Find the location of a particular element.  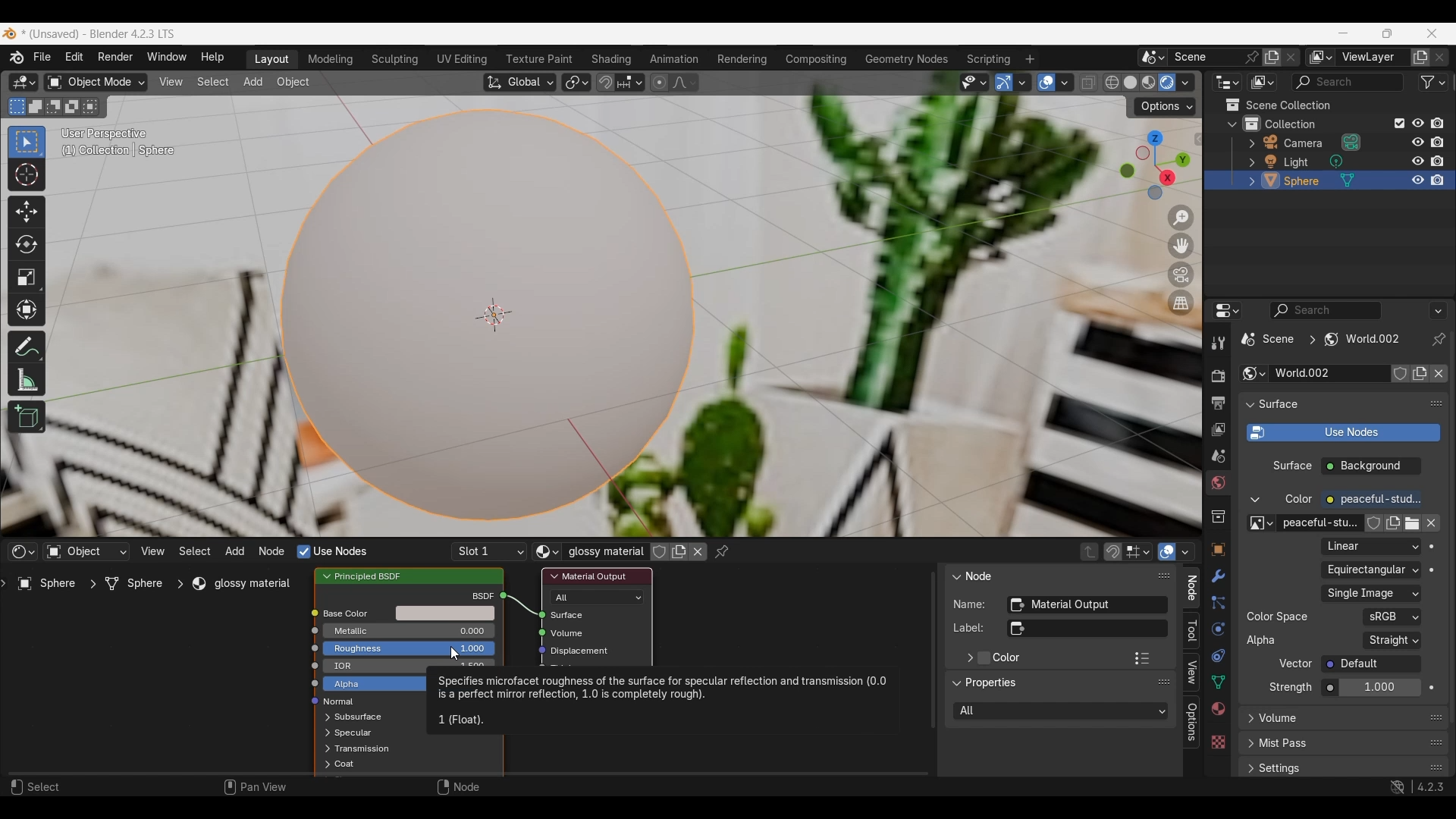

Toggle the camera view is located at coordinates (1182, 275).